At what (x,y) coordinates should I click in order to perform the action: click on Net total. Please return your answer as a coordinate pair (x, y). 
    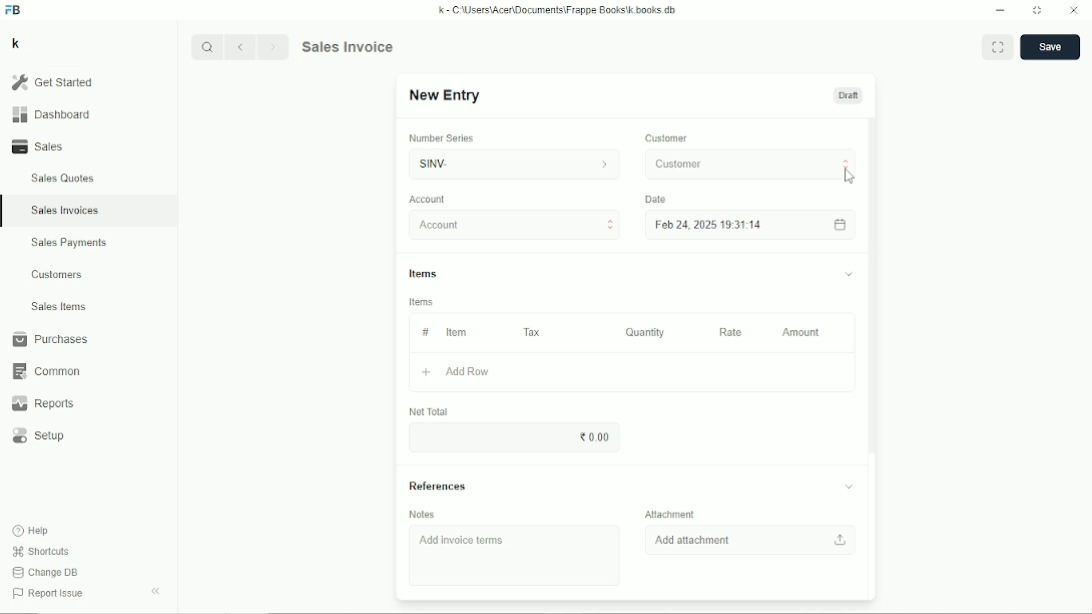
    Looking at the image, I should click on (427, 411).